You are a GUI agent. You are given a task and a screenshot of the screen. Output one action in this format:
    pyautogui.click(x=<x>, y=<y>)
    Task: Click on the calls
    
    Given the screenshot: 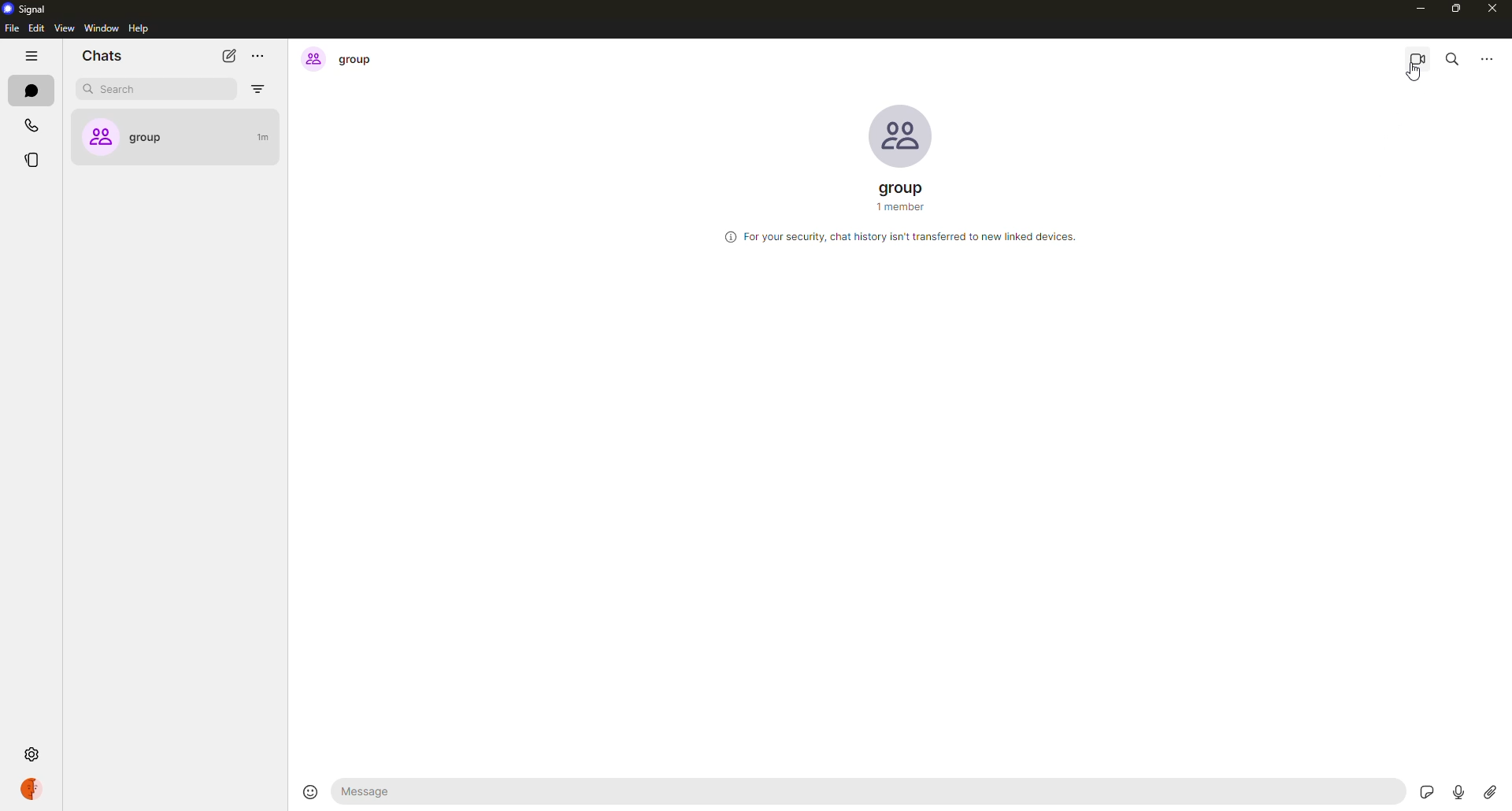 What is the action you would take?
    pyautogui.click(x=31, y=124)
    